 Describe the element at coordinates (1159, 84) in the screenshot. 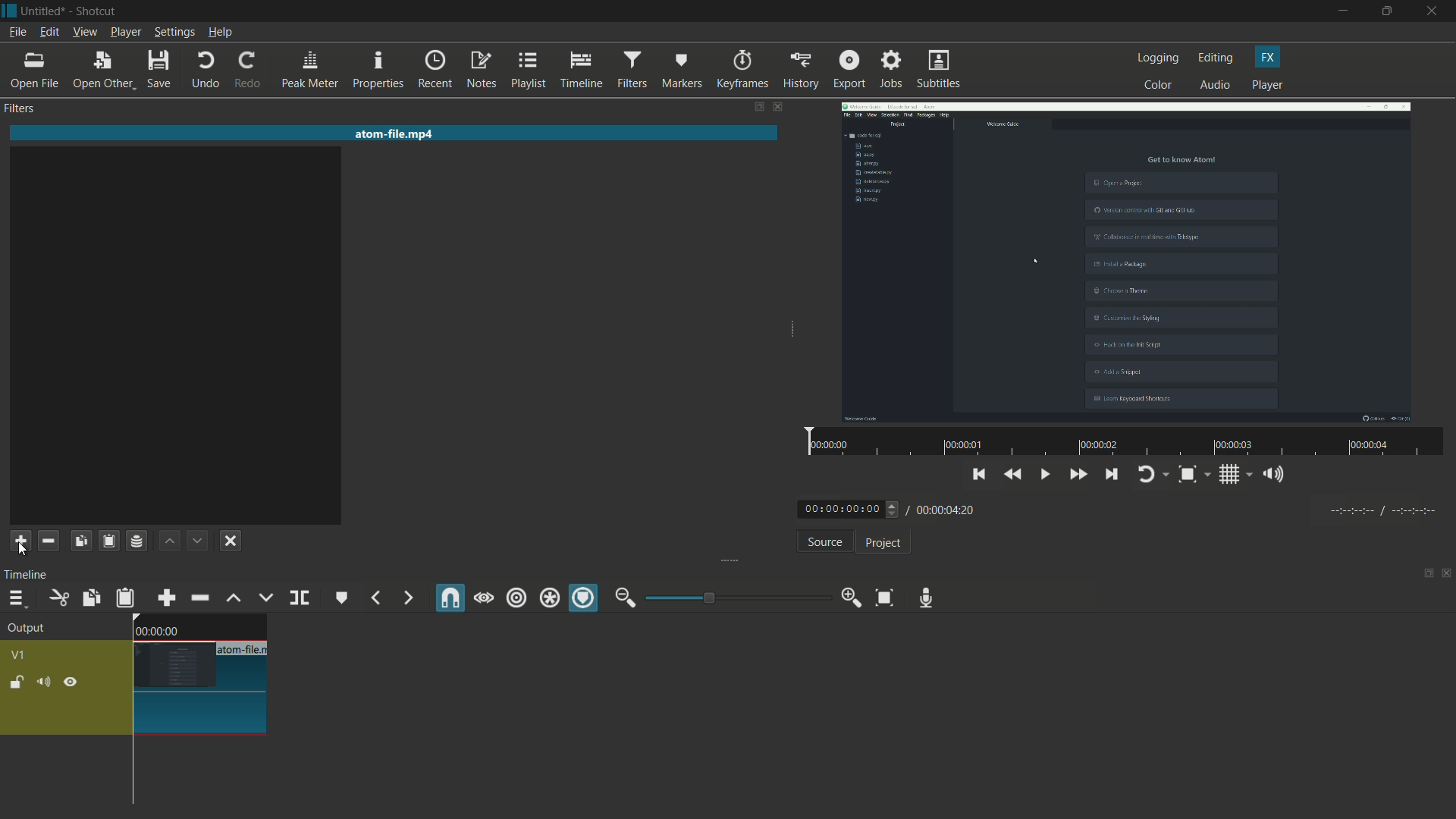

I see `color` at that location.